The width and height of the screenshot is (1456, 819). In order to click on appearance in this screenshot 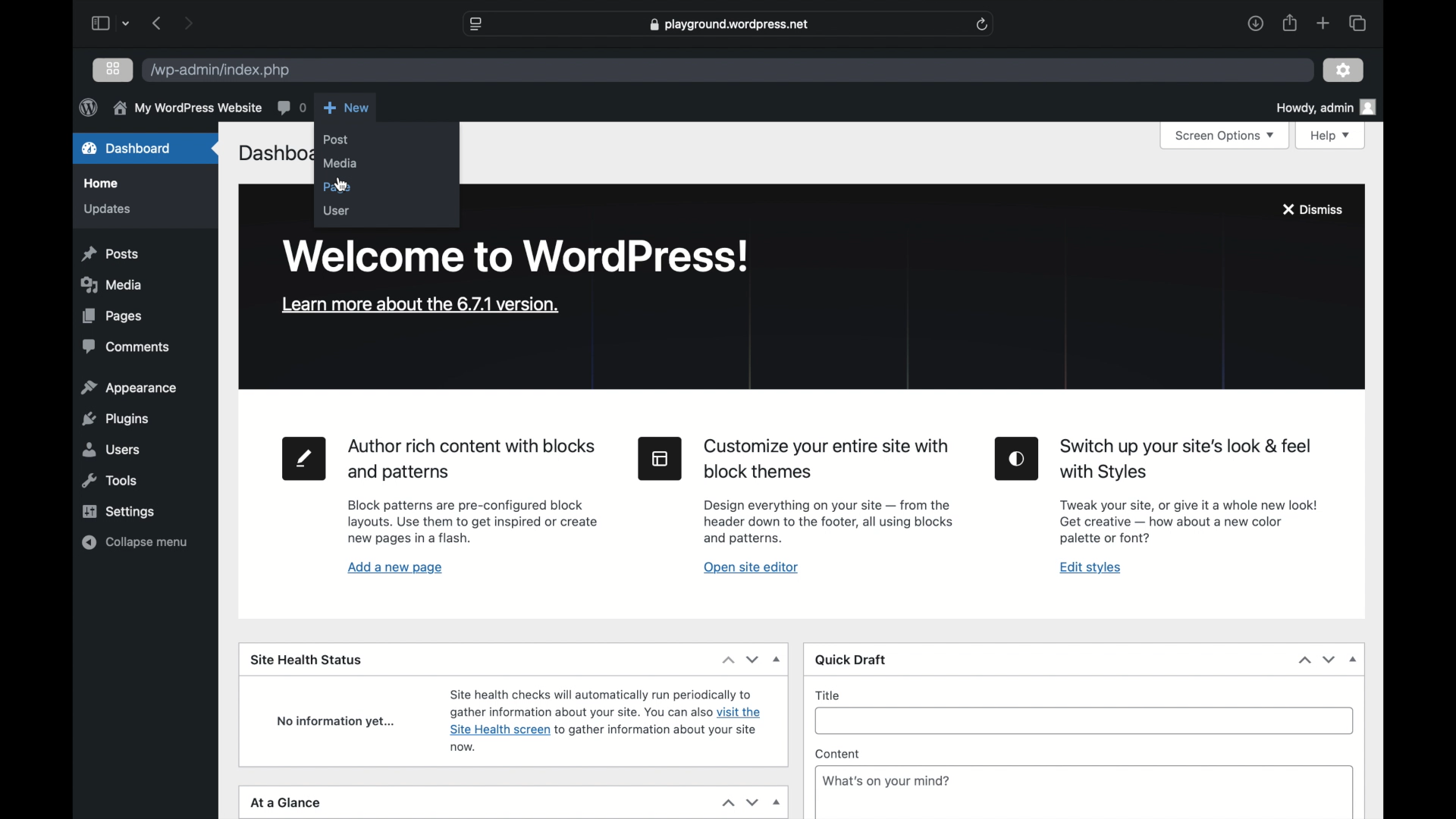, I will do `click(130, 388)`.